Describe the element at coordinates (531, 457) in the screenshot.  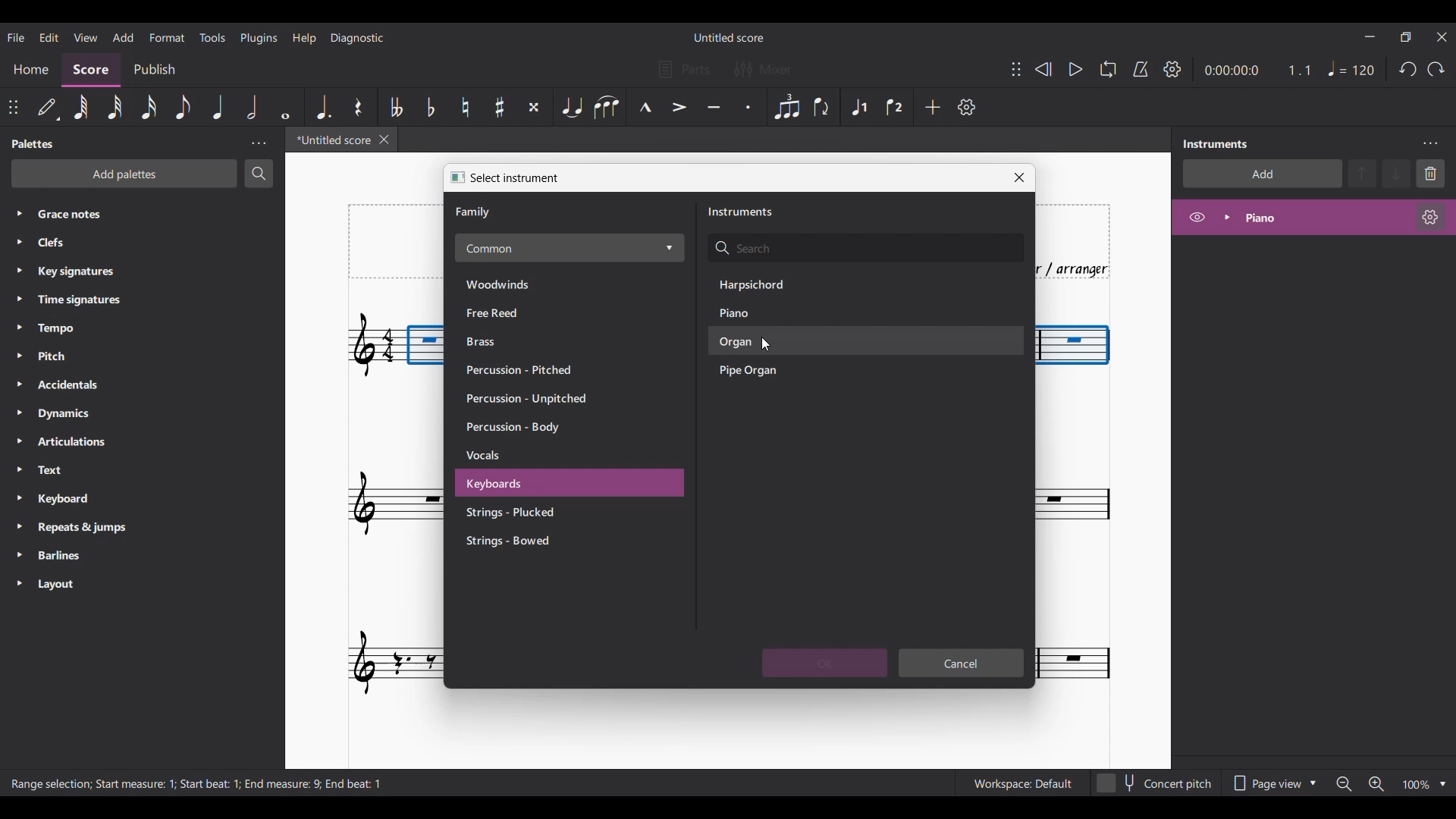
I see `Vocals` at that location.